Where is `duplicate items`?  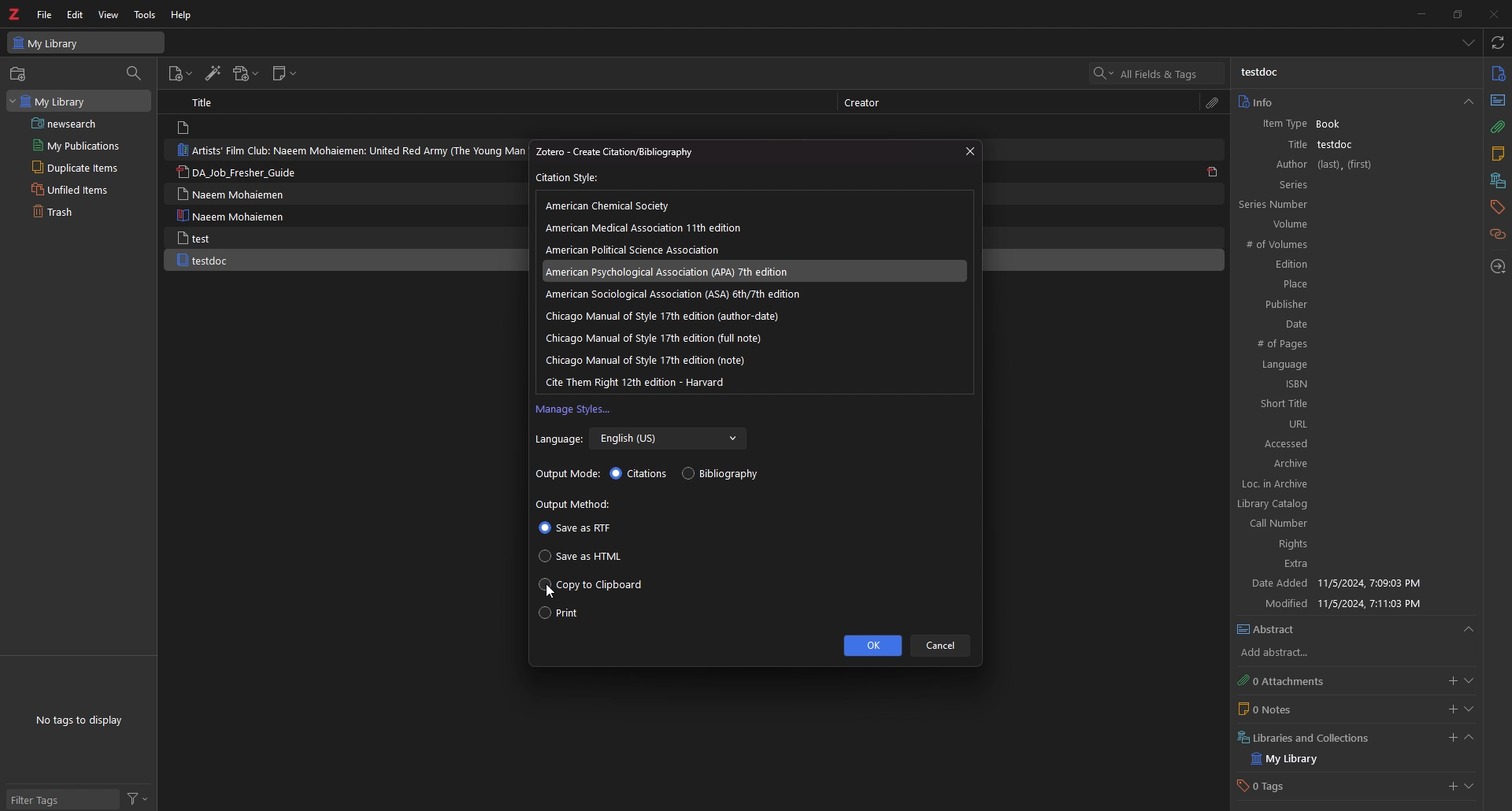
duplicate items is located at coordinates (72, 167).